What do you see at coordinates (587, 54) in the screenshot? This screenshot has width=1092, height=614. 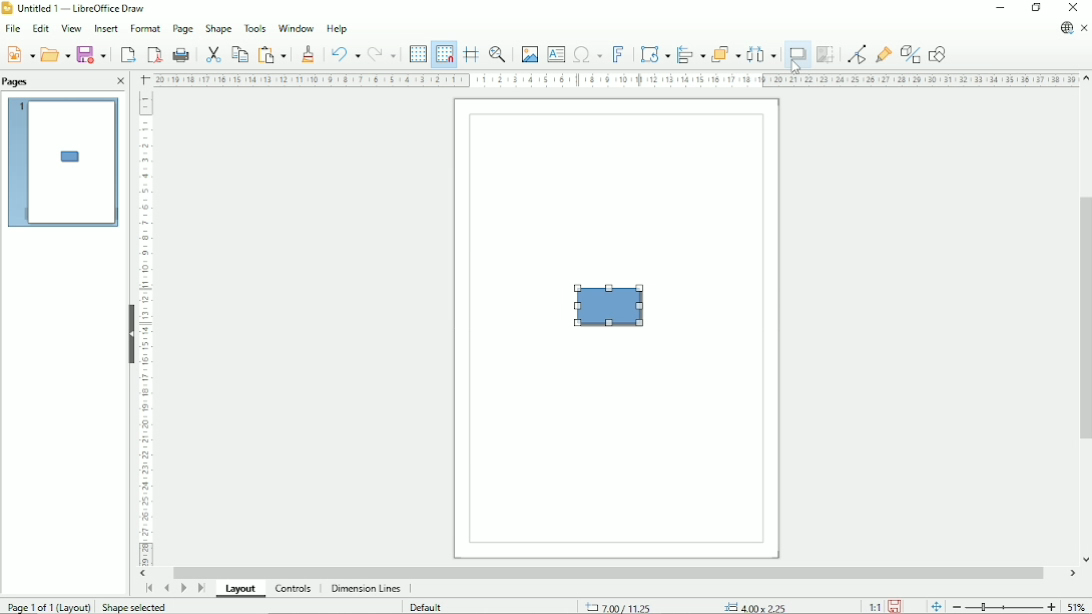 I see `Insert special characters` at bounding box center [587, 54].